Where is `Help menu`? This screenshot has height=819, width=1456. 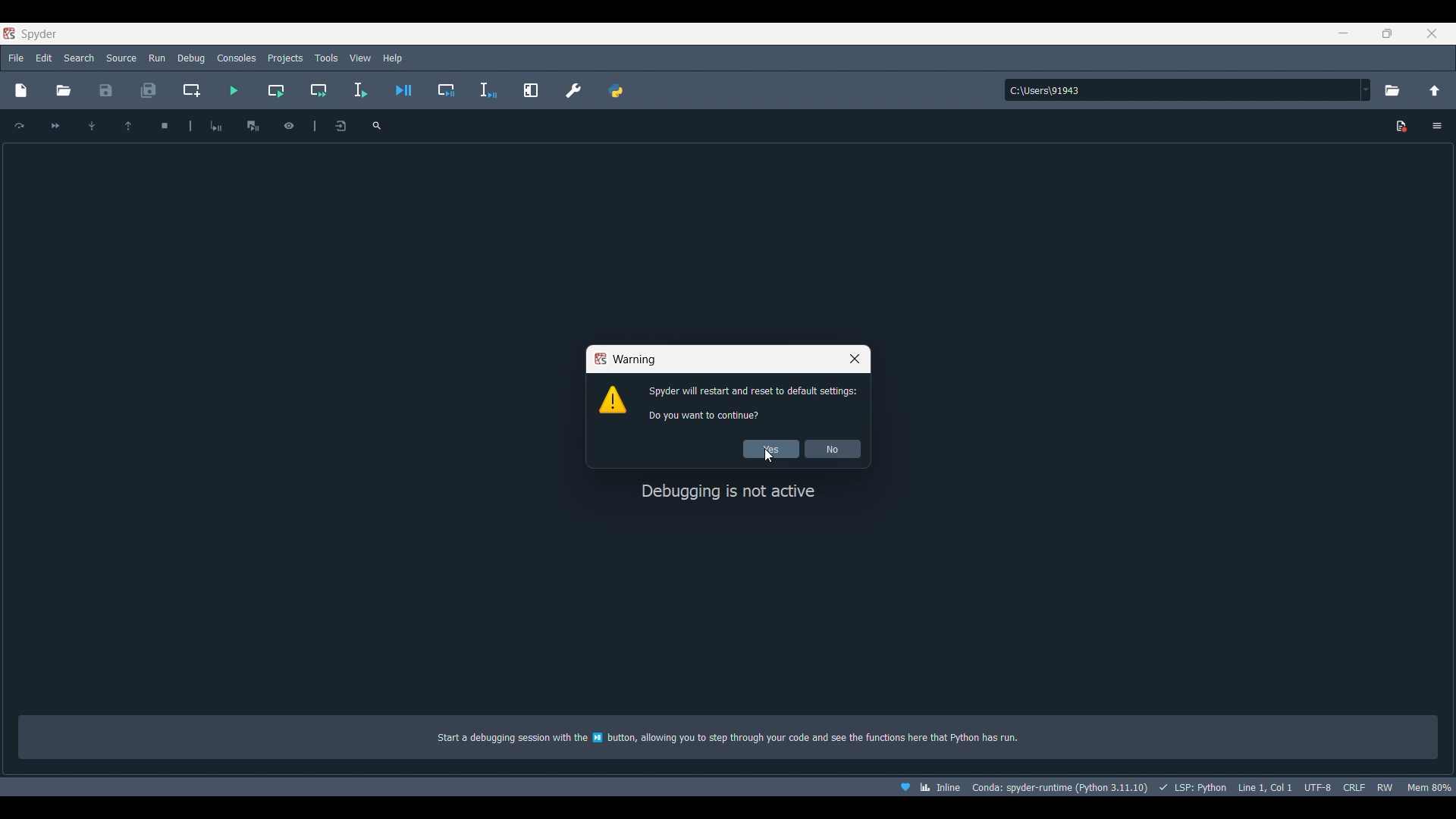
Help menu is located at coordinates (393, 58).